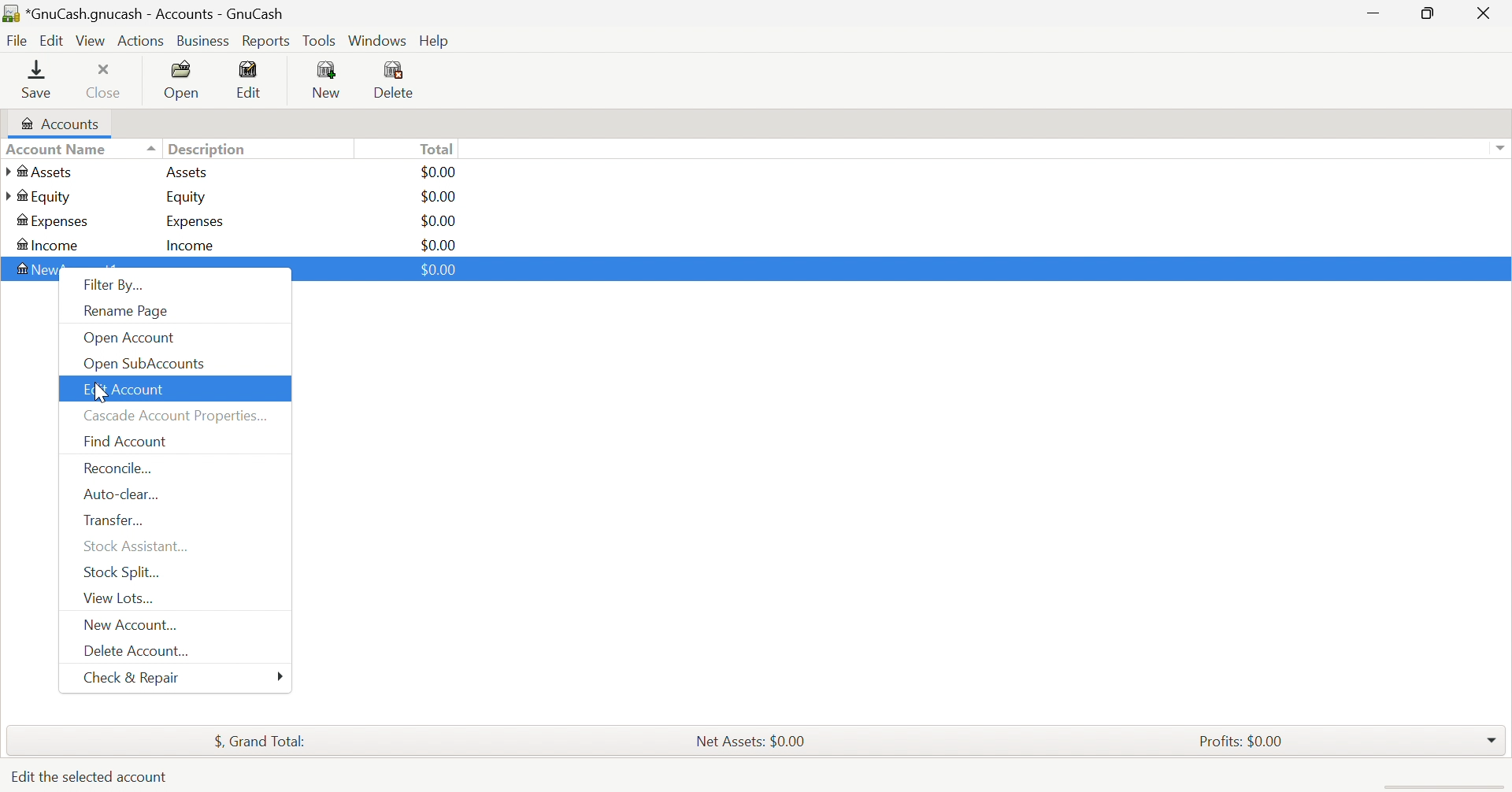 Image resolution: width=1512 pixels, height=792 pixels. What do you see at coordinates (254, 77) in the screenshot?
I see `Edit` at bounding box center [254, 77].